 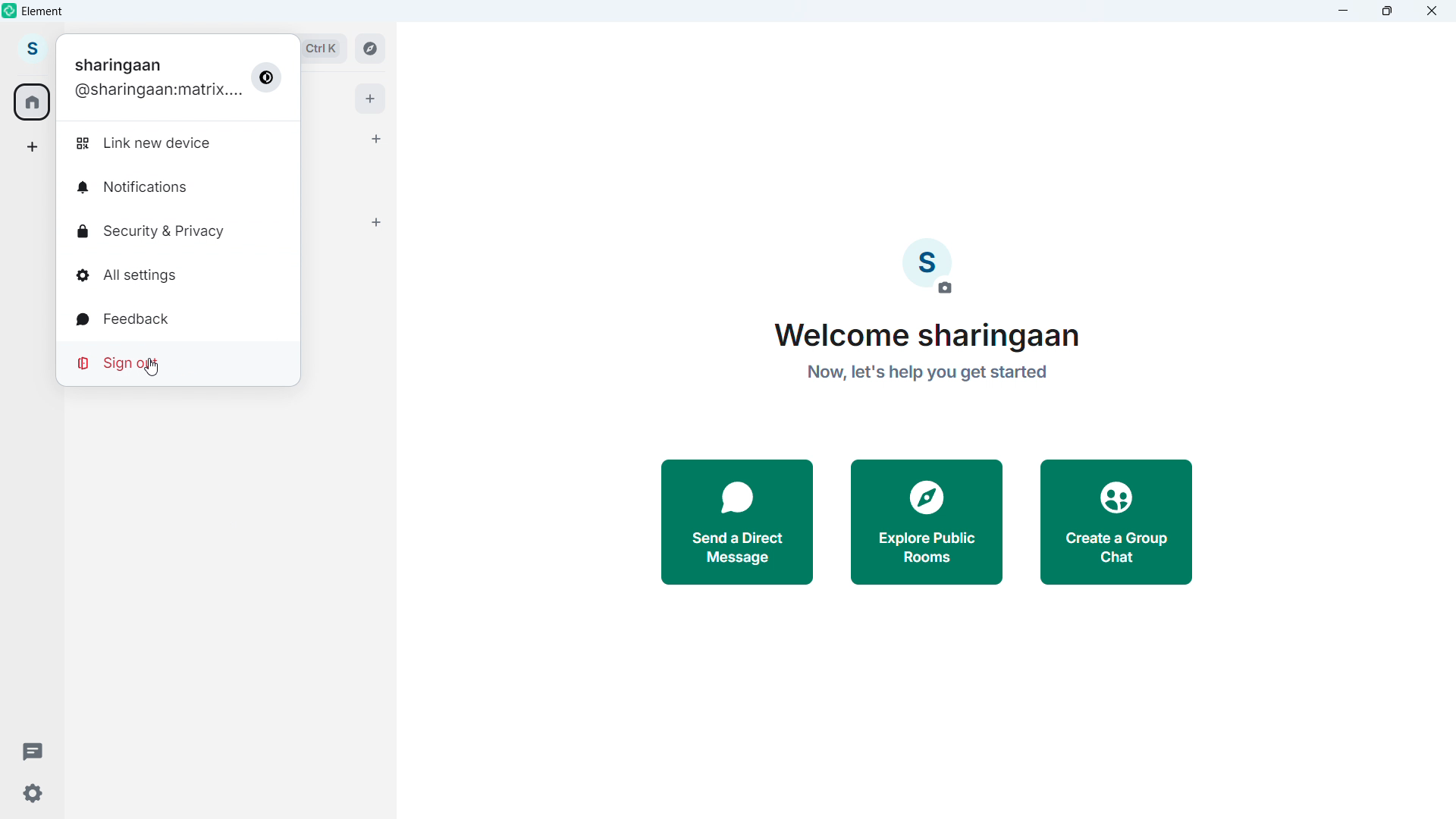 I want to click on All settings , so click(x=126, y=275).